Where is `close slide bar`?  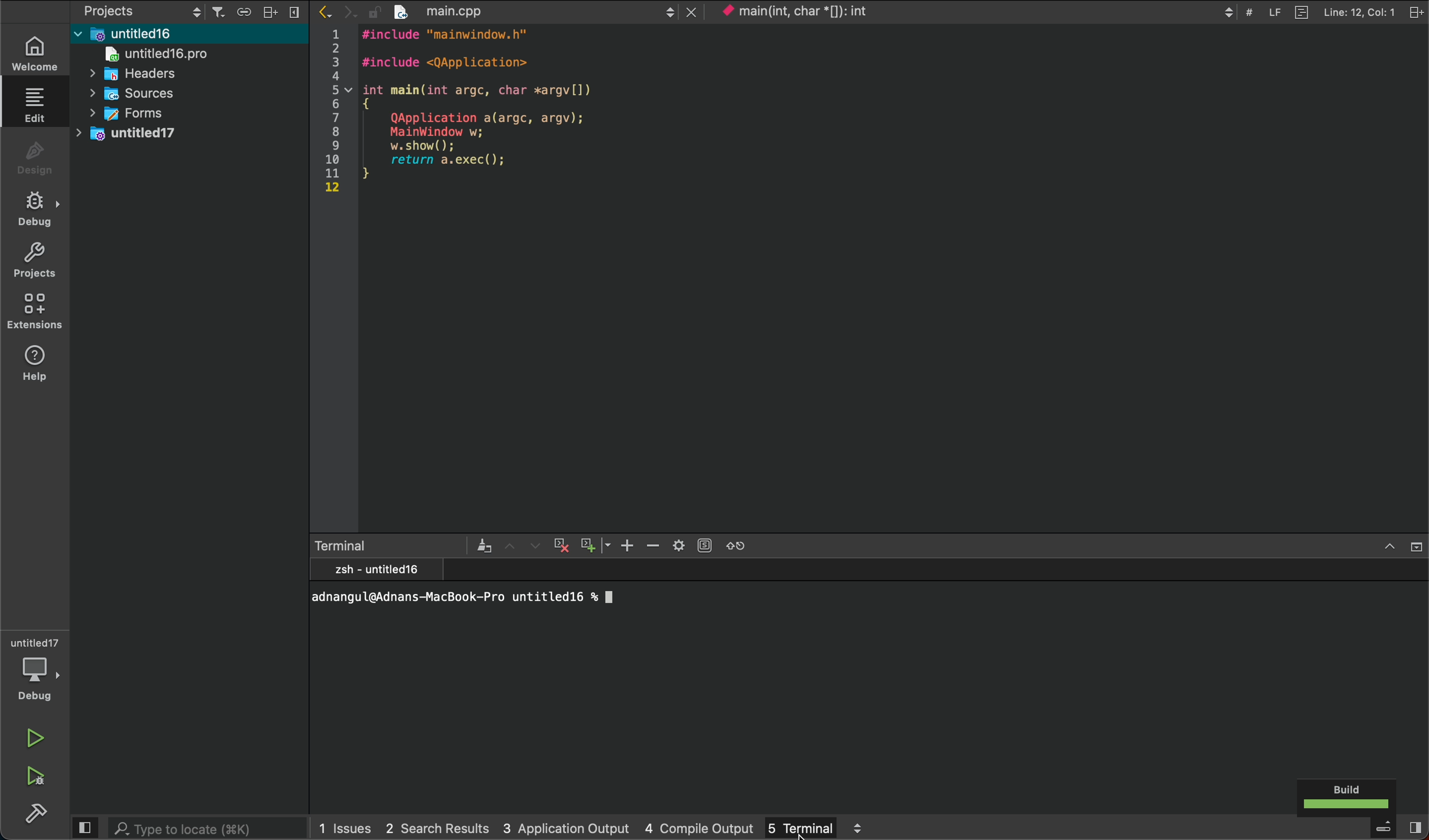
close slide bar is located at coordinates (1417, 545).